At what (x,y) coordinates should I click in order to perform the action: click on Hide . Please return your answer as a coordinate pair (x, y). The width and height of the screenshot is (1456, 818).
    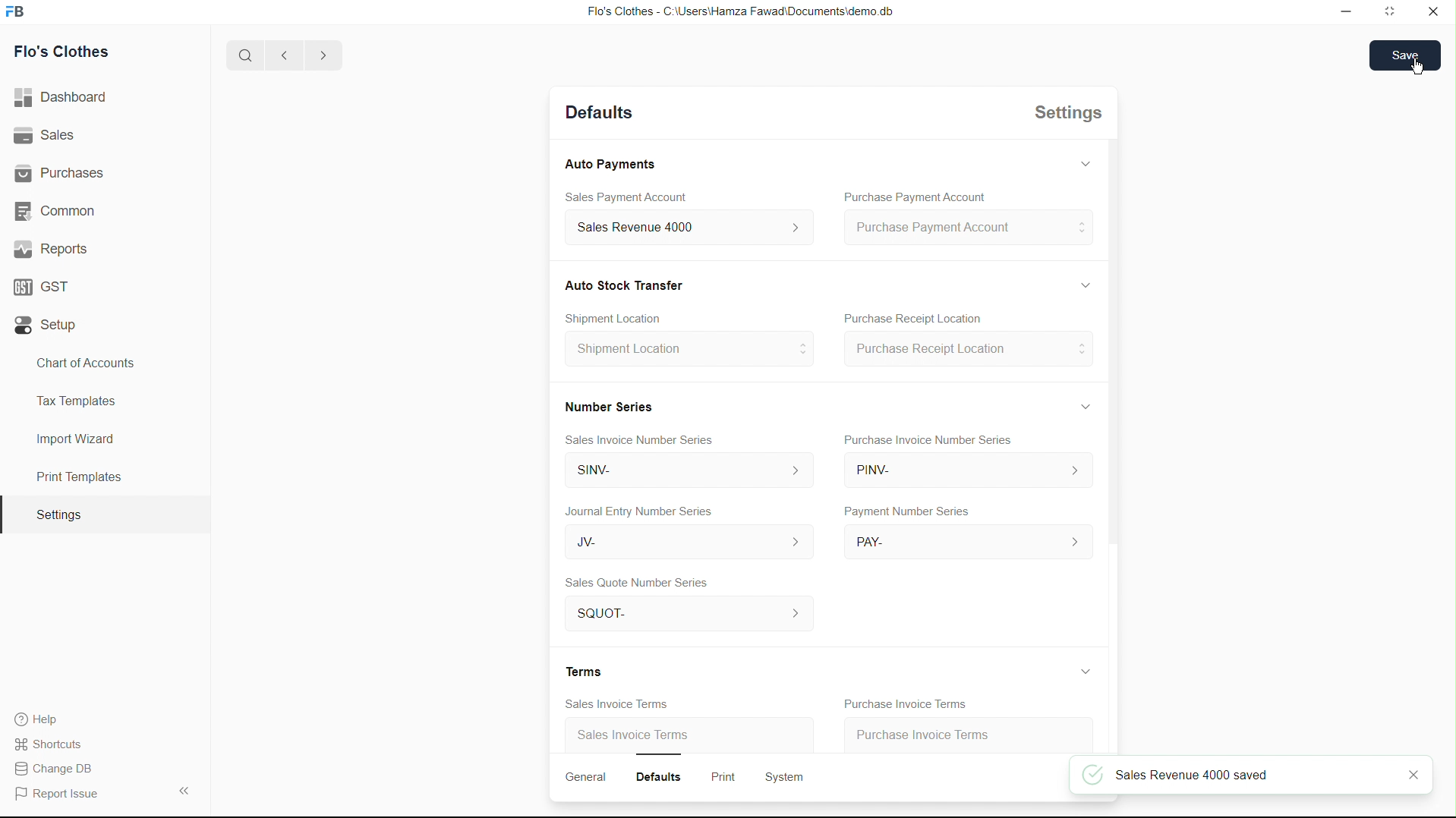
    Looking at the image, I should click on (1089, 405).